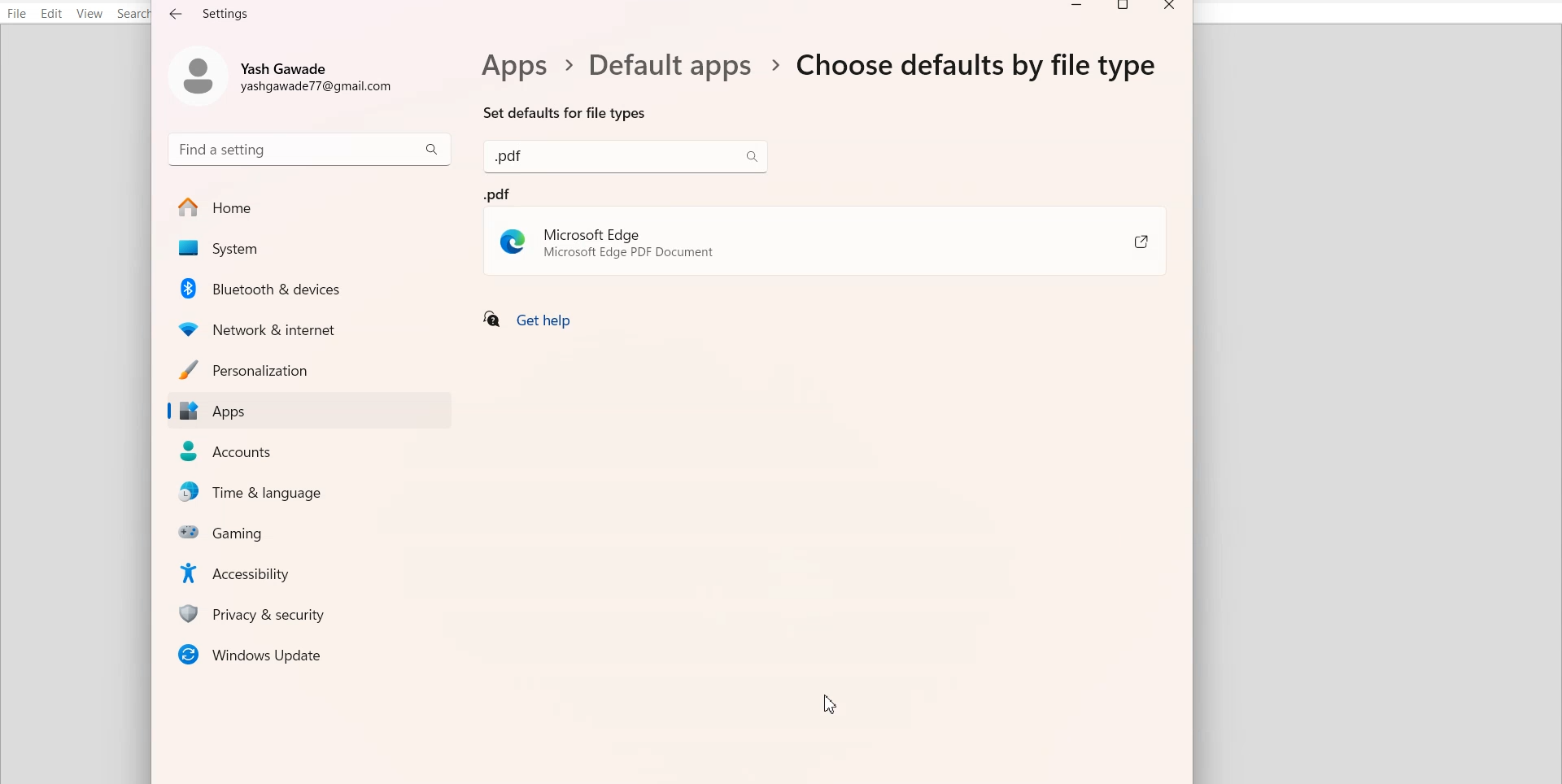 The image size is (1562, 784). I want to click on Network & Internet, so click(311, 327).